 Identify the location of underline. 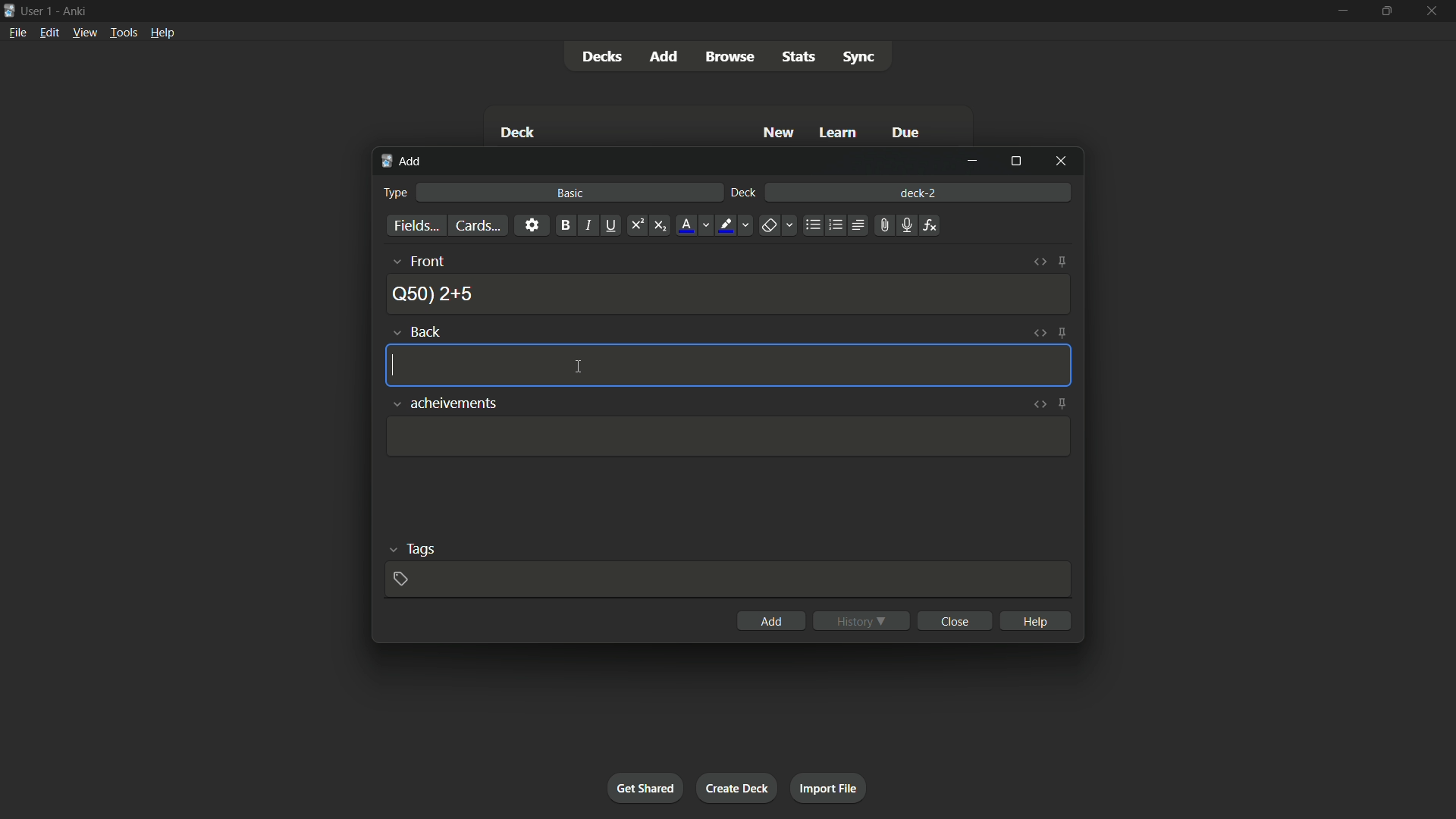
(611, 225).